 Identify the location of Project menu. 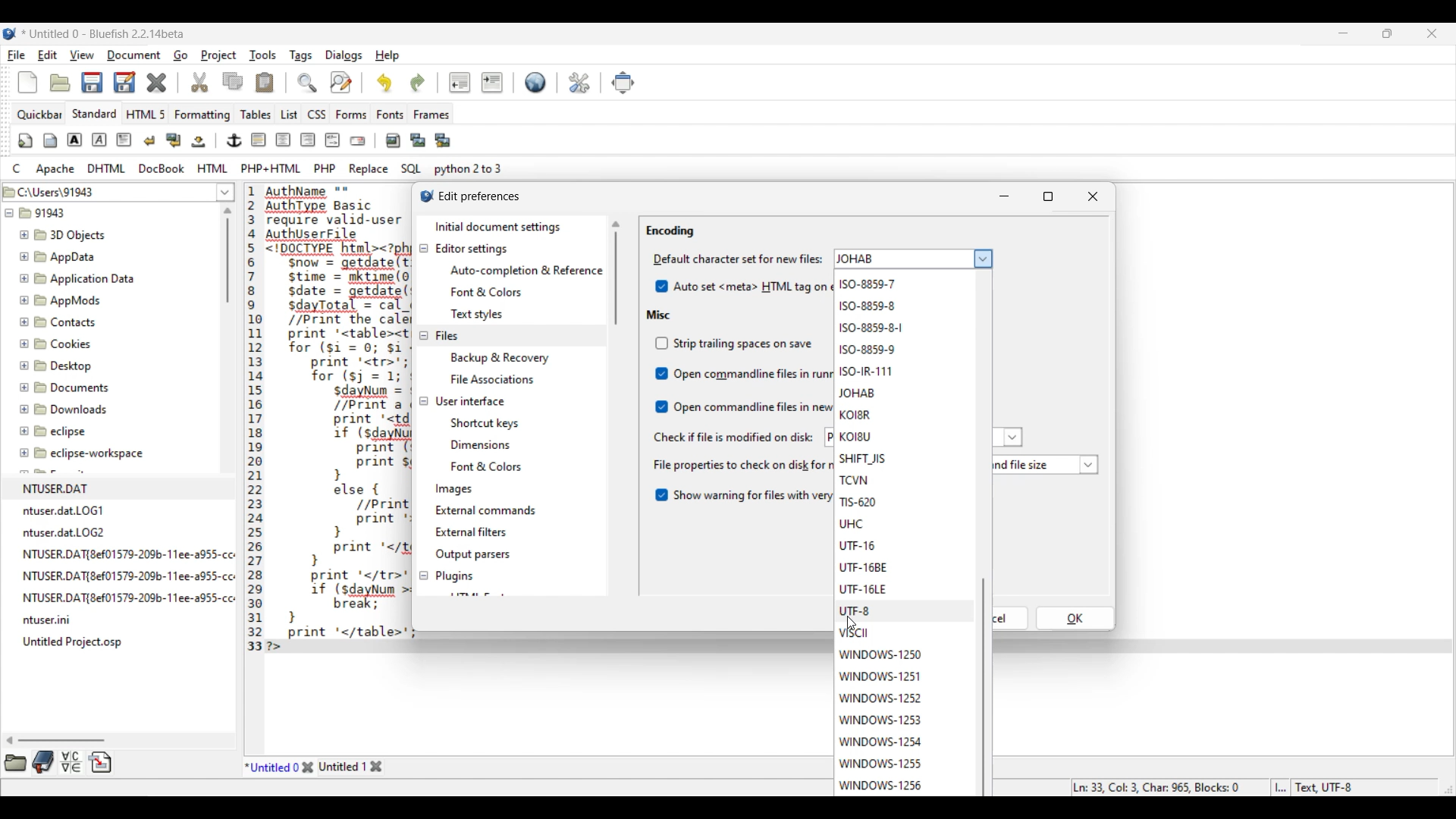
(218, 55).